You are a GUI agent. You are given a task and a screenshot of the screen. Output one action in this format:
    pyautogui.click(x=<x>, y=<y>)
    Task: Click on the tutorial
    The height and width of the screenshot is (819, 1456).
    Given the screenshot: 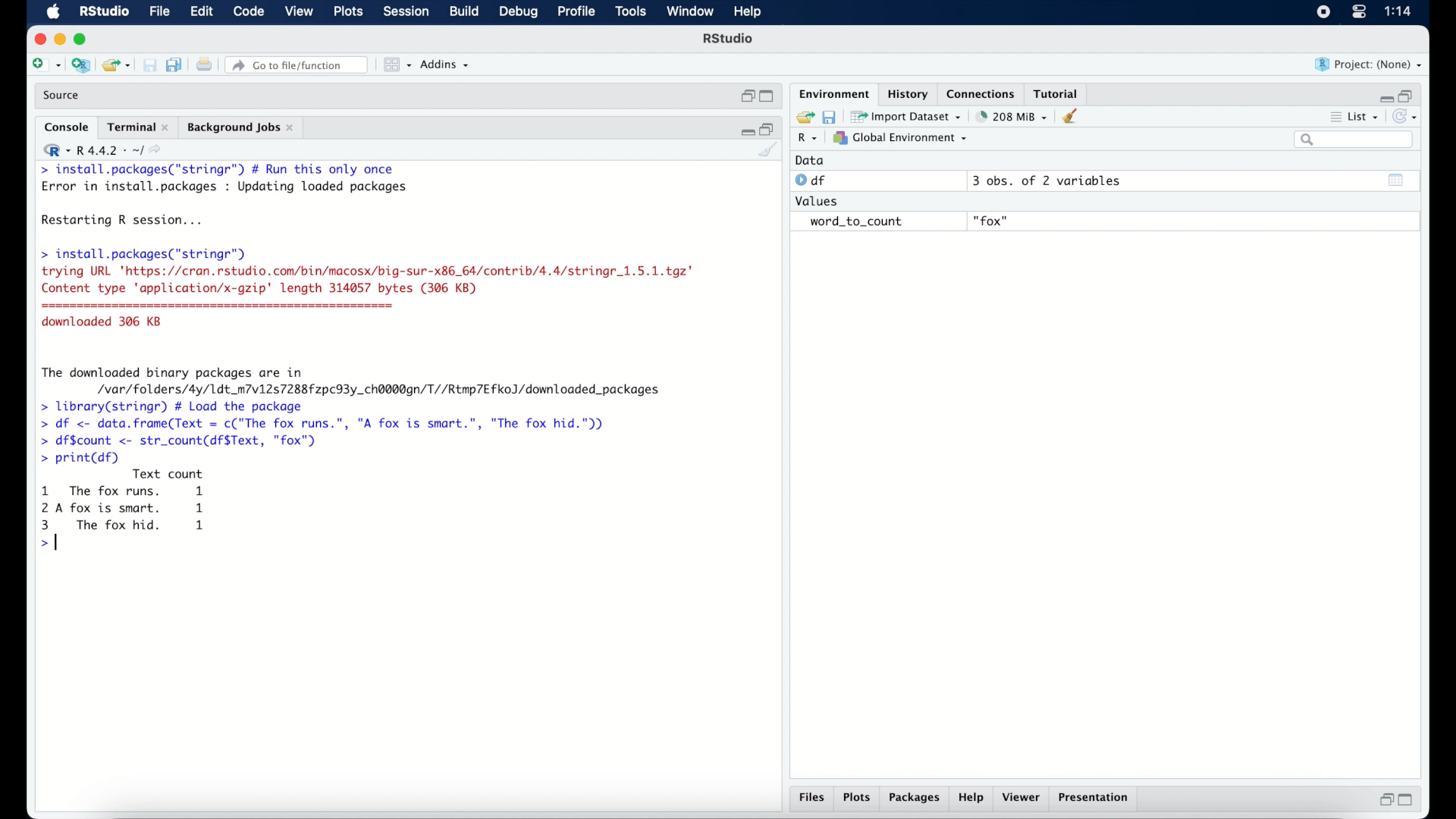 What is the action you would take?
    pyautogui.click(x=1056, y=92)
    